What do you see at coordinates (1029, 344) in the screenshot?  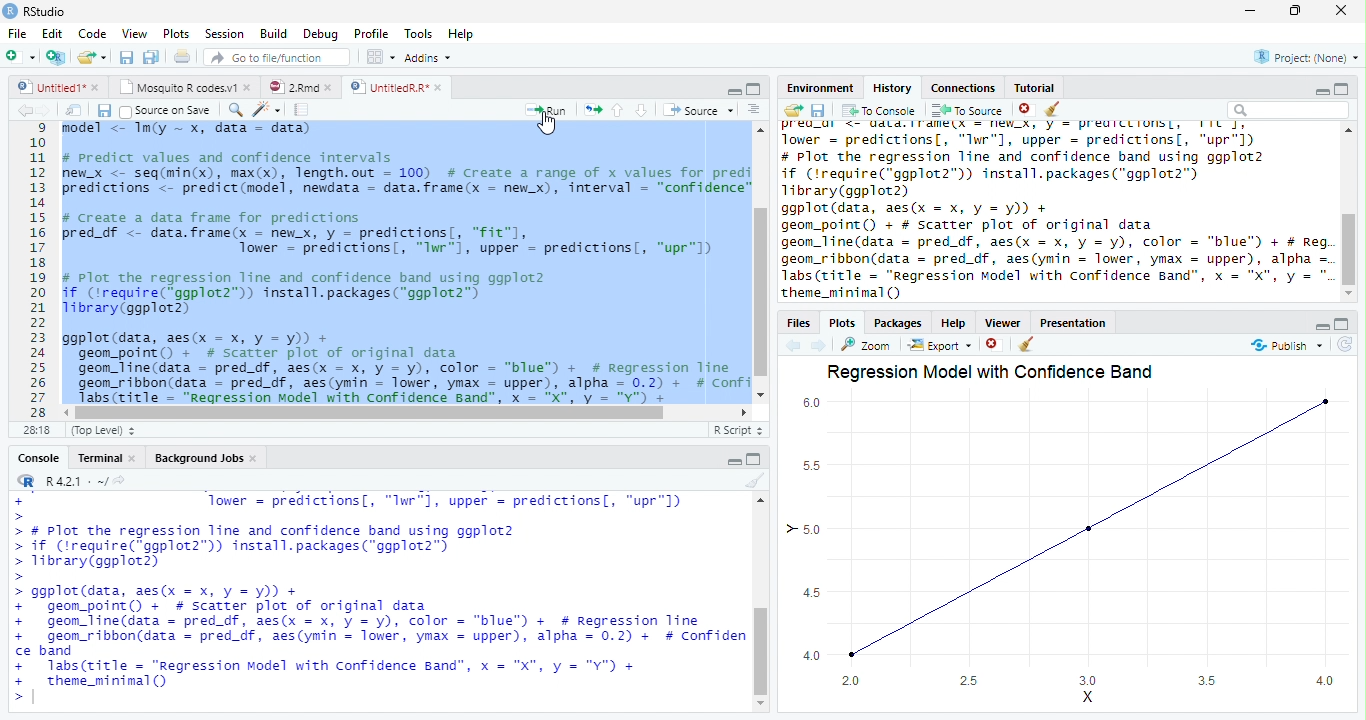 I see `Clear conosole` at bounding box center [1029, 344].